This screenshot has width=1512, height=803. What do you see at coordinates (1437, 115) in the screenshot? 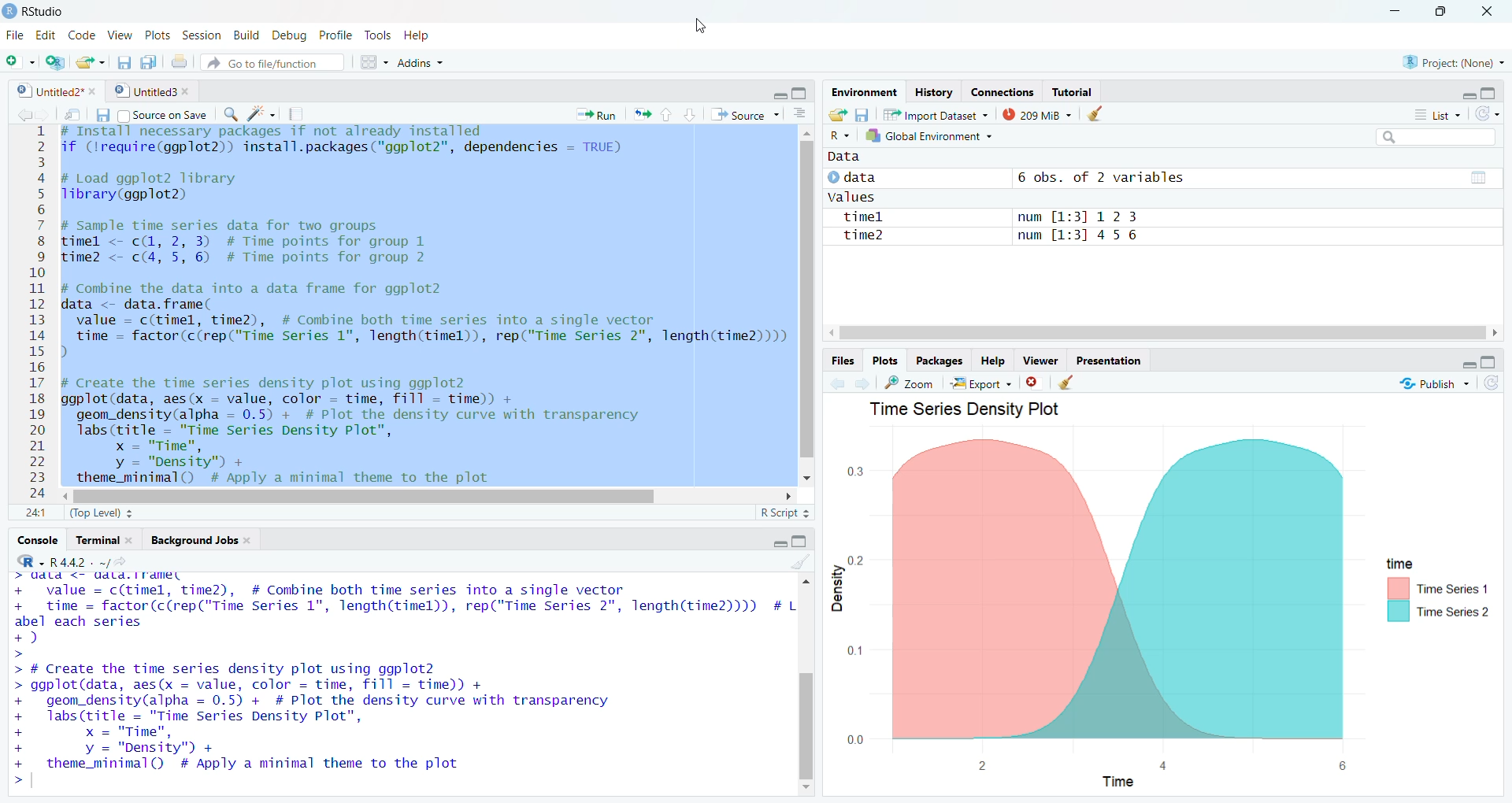
I see `List ` at bounding box center [1437, 115].